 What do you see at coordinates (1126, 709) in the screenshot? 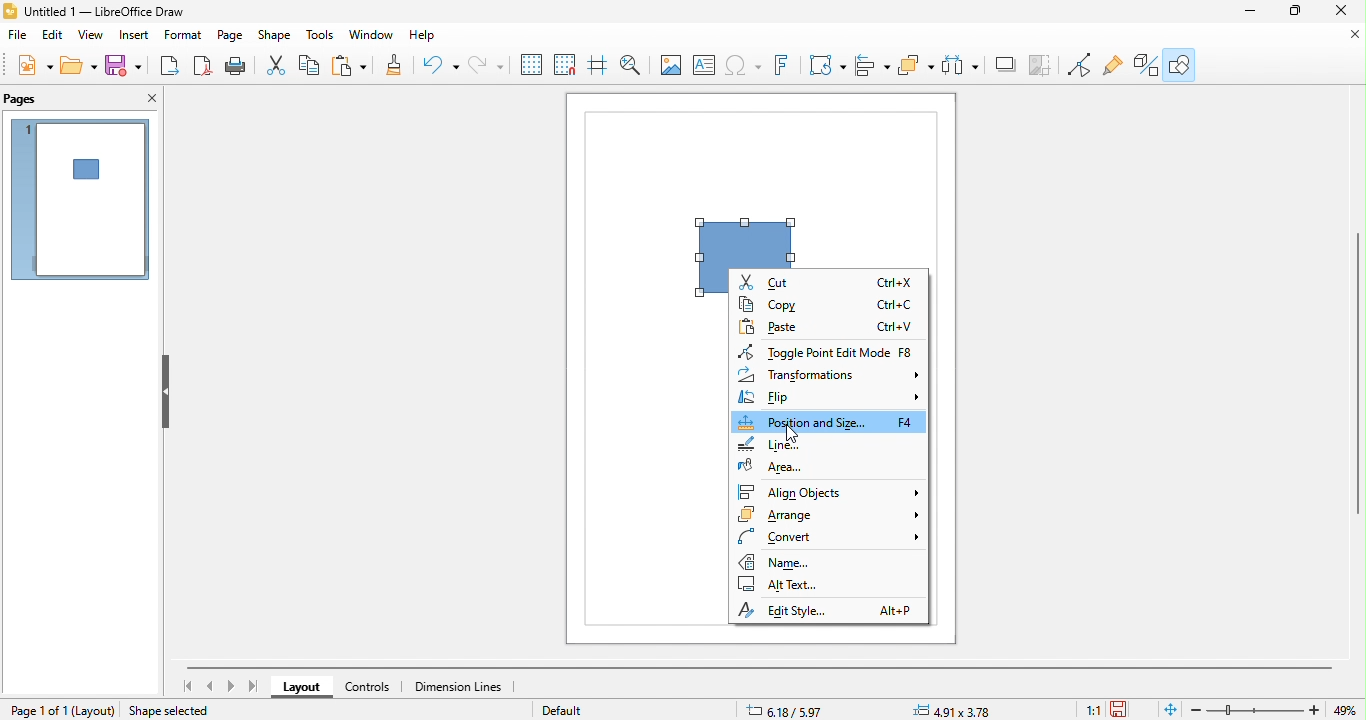
I see `the document has been modified since the last save` at bounding box center [1126, 709].